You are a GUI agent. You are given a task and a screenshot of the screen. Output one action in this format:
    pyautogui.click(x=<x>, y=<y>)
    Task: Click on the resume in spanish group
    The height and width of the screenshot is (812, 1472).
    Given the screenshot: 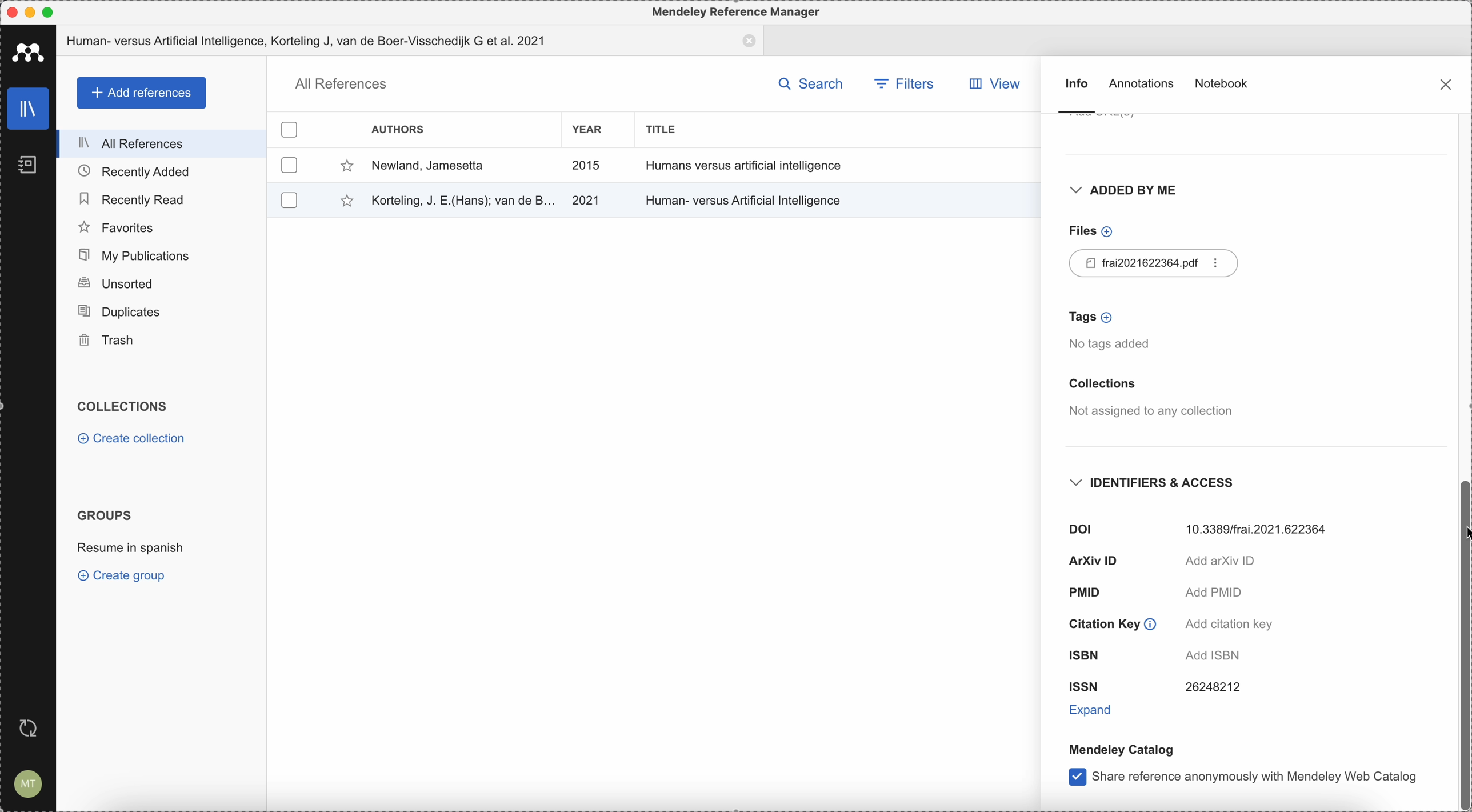 What is the action you would take?
    pyautogui.click(x=131, y=550)
    